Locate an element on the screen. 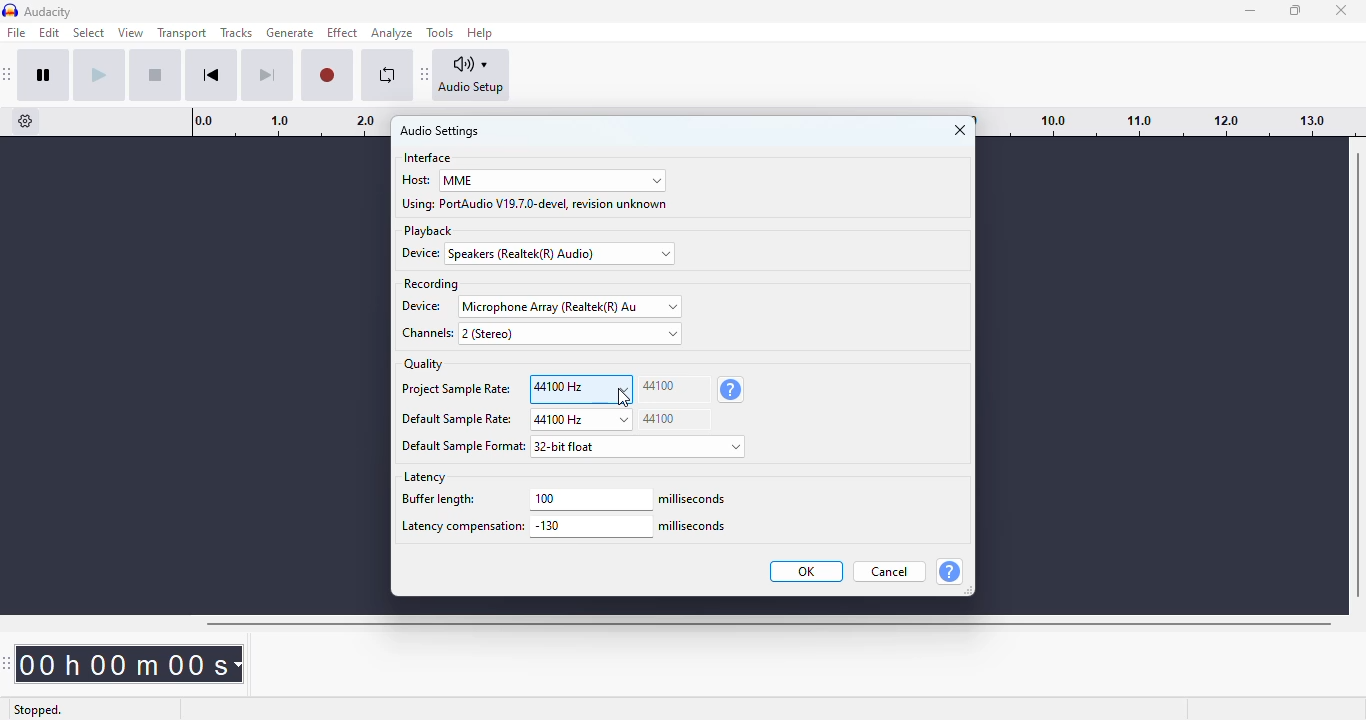  close is located at coordinates (960, 130).